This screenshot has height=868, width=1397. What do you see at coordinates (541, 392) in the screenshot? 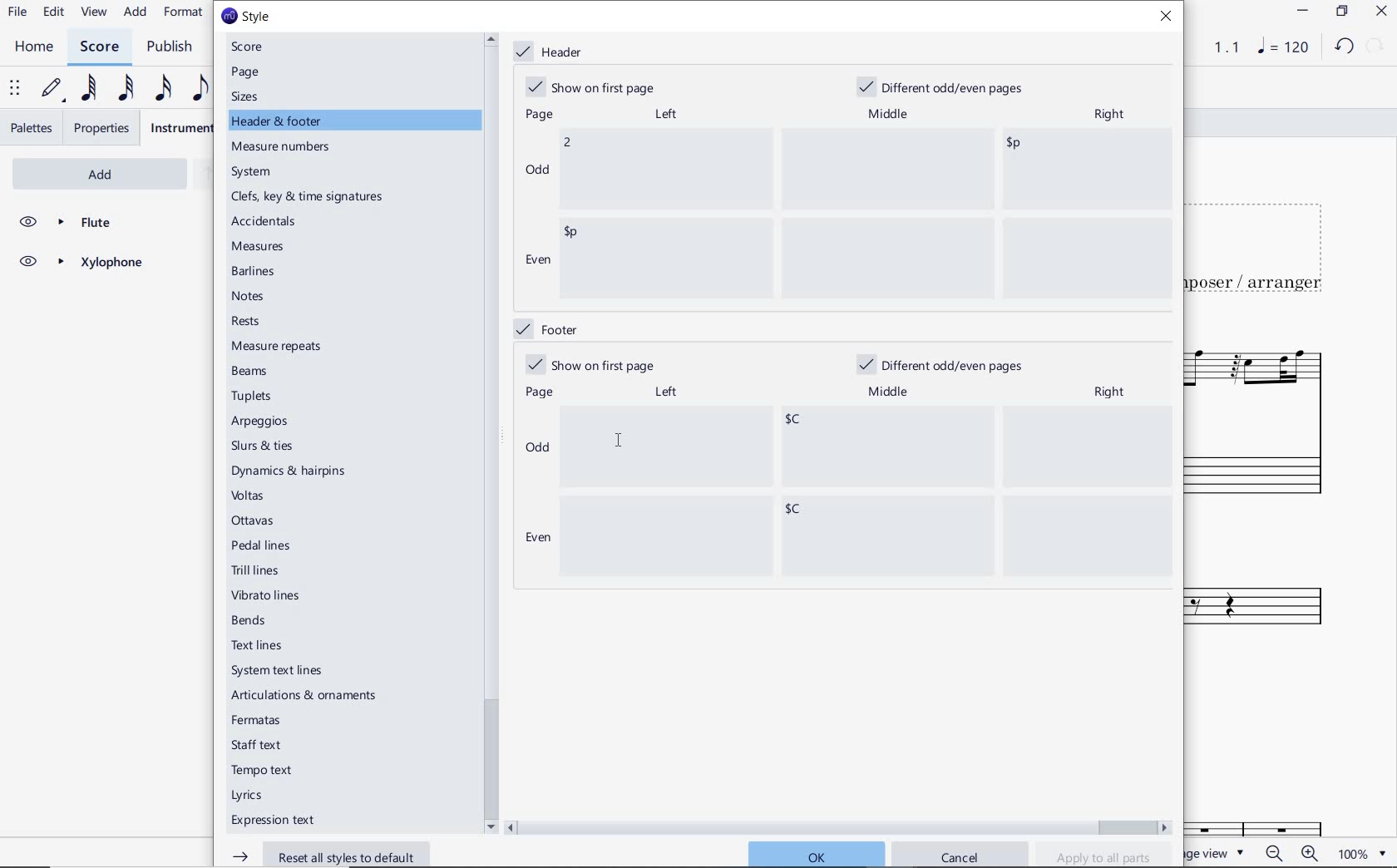
I see `page` at bounding box center [541, 392].